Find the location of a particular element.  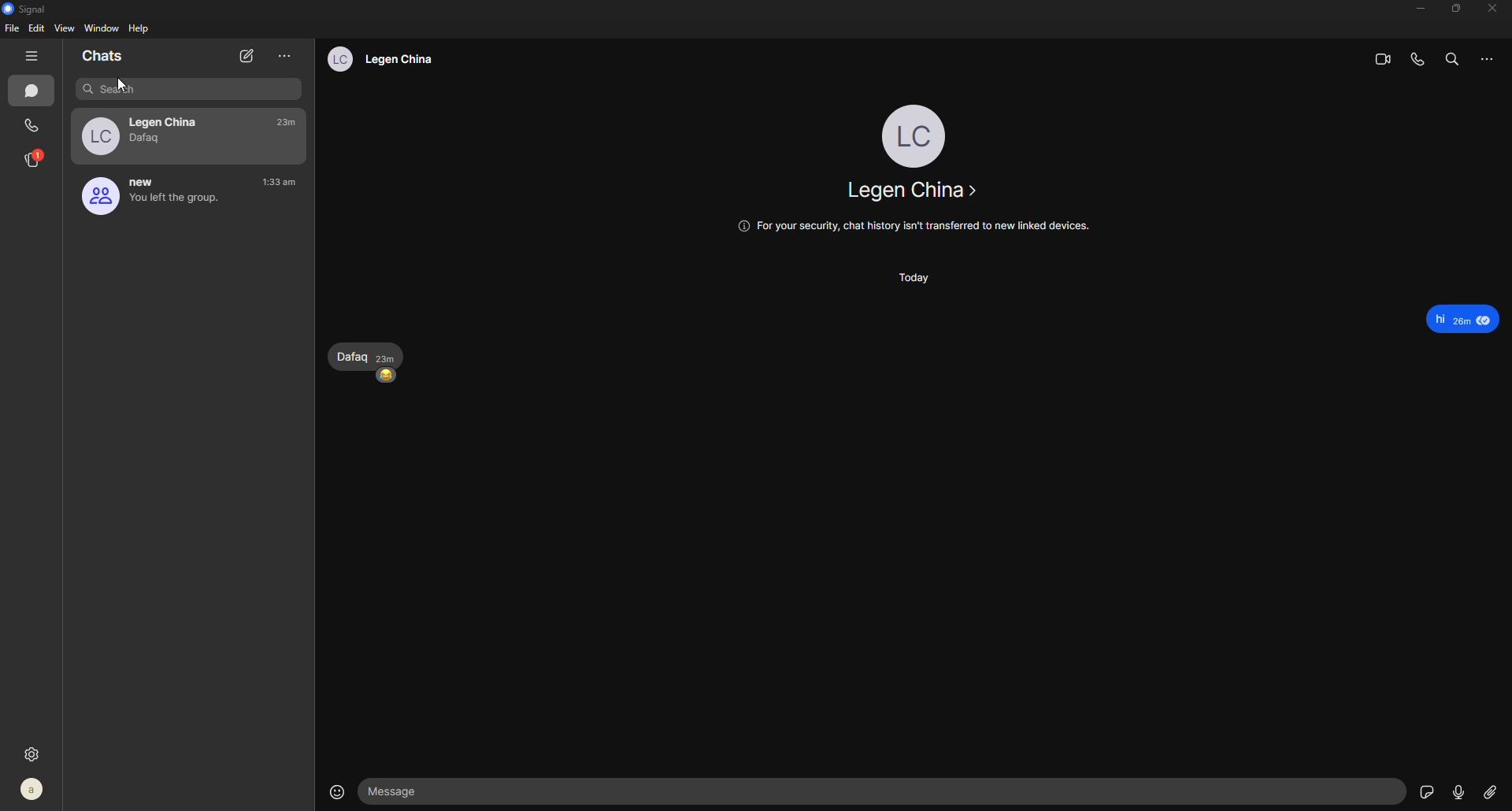

signal is located at coordinates (29, 9).